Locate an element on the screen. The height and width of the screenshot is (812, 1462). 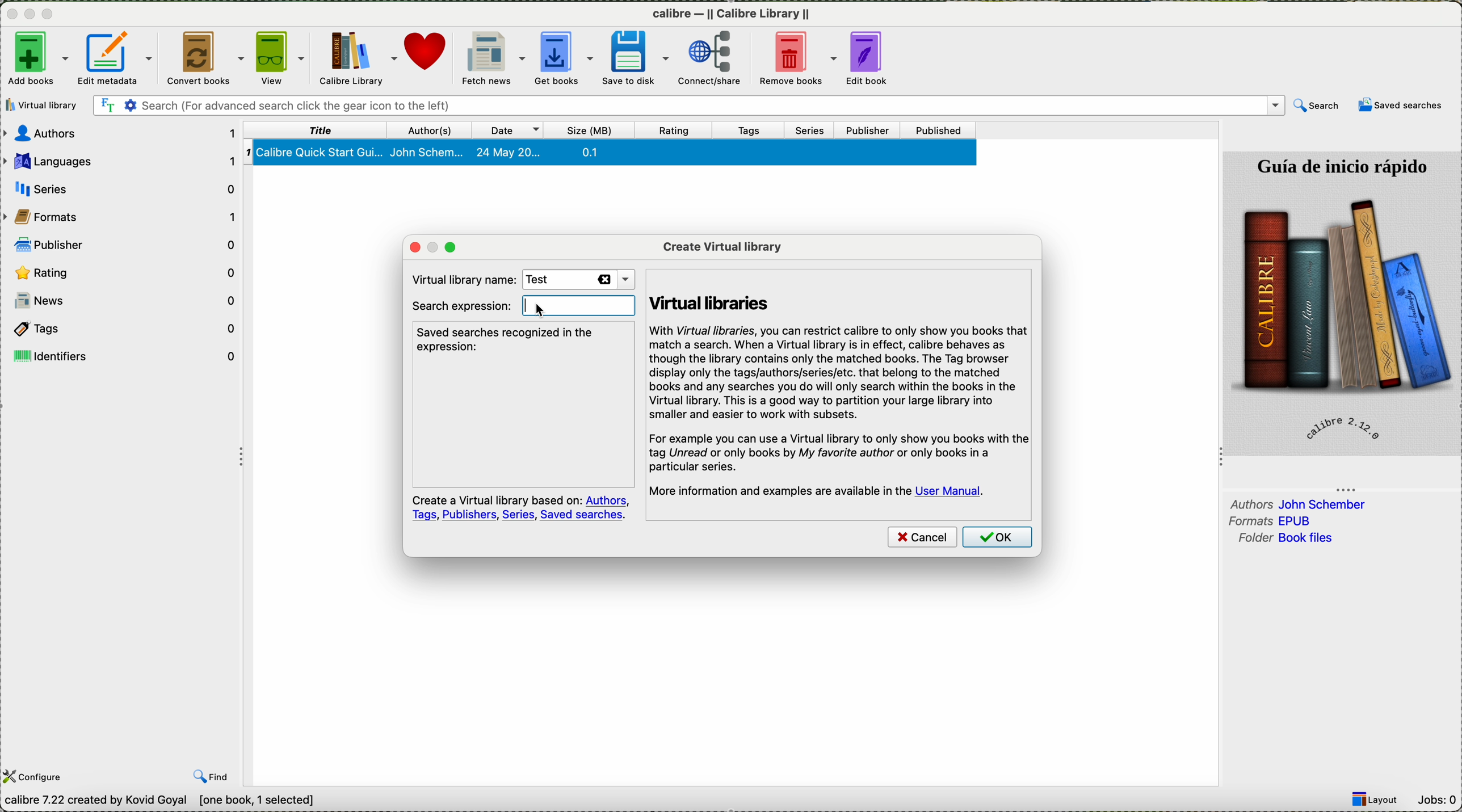
serie is located at coordinates (123, 187).